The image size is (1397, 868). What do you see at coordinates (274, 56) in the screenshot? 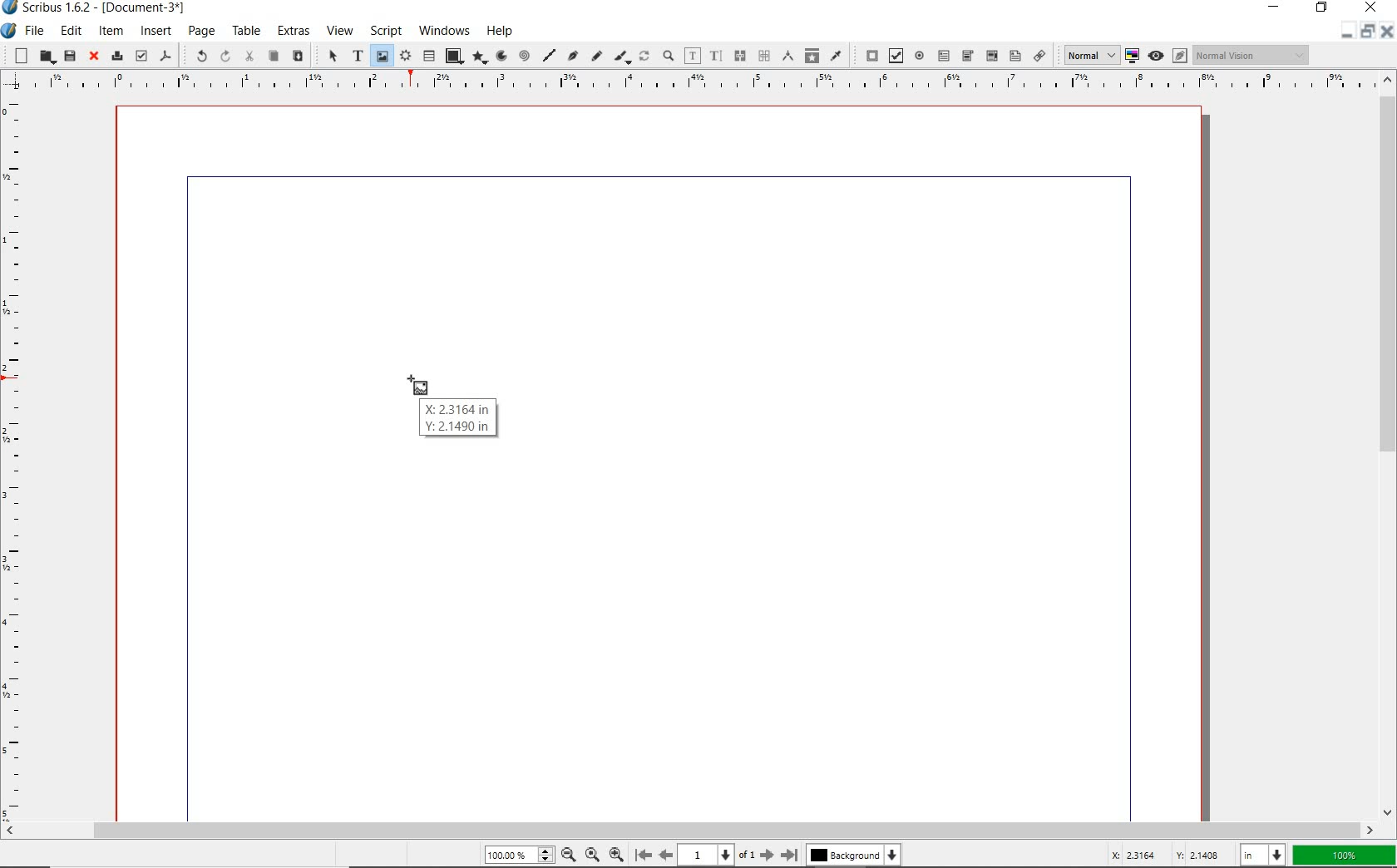
I see `copy` at bounding box center [274, 56].